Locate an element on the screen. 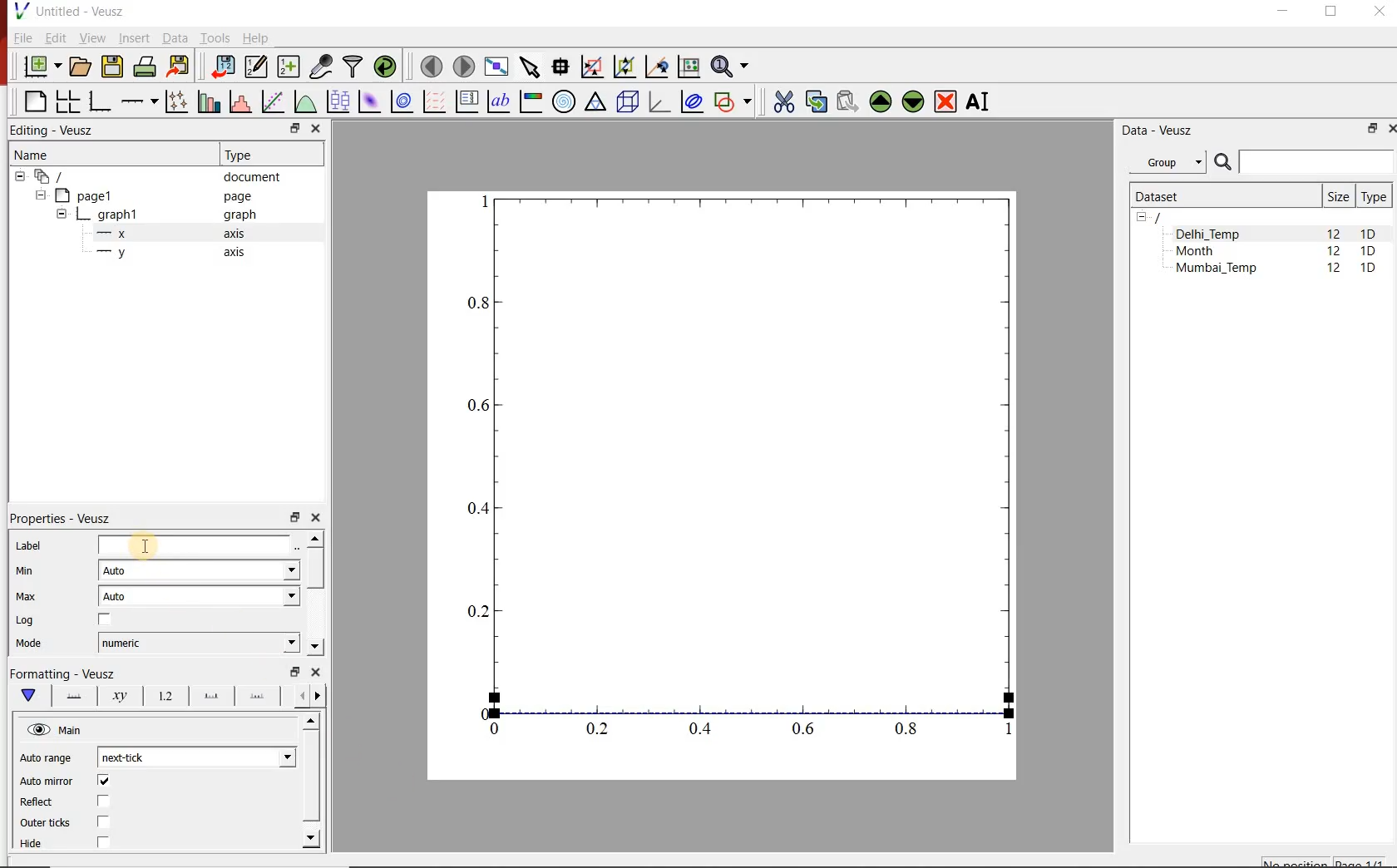  Formatting - Veusz is located at coordinates (67, 673).